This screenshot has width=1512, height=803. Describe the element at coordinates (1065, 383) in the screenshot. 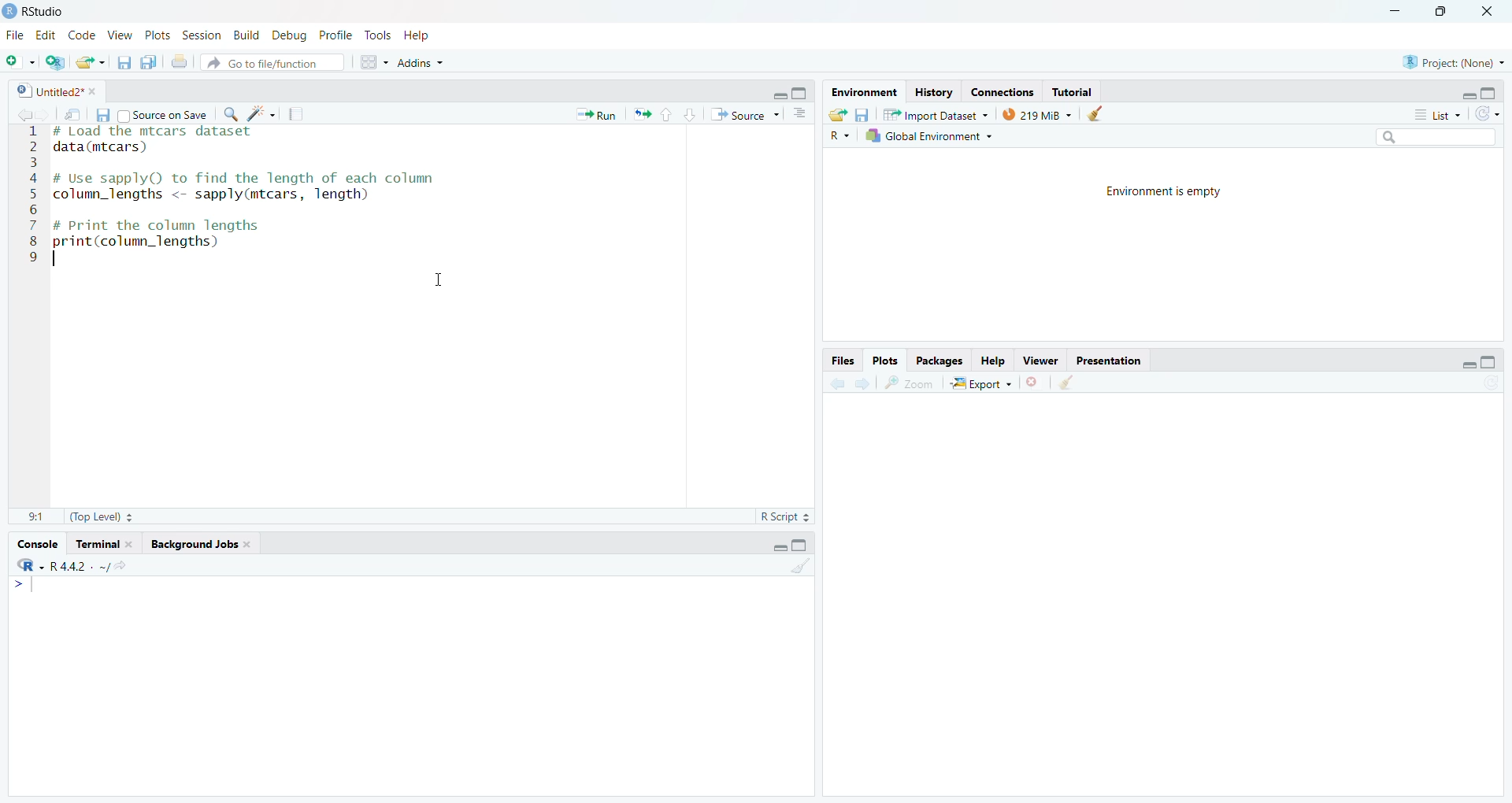

I see `Clear` at that location.